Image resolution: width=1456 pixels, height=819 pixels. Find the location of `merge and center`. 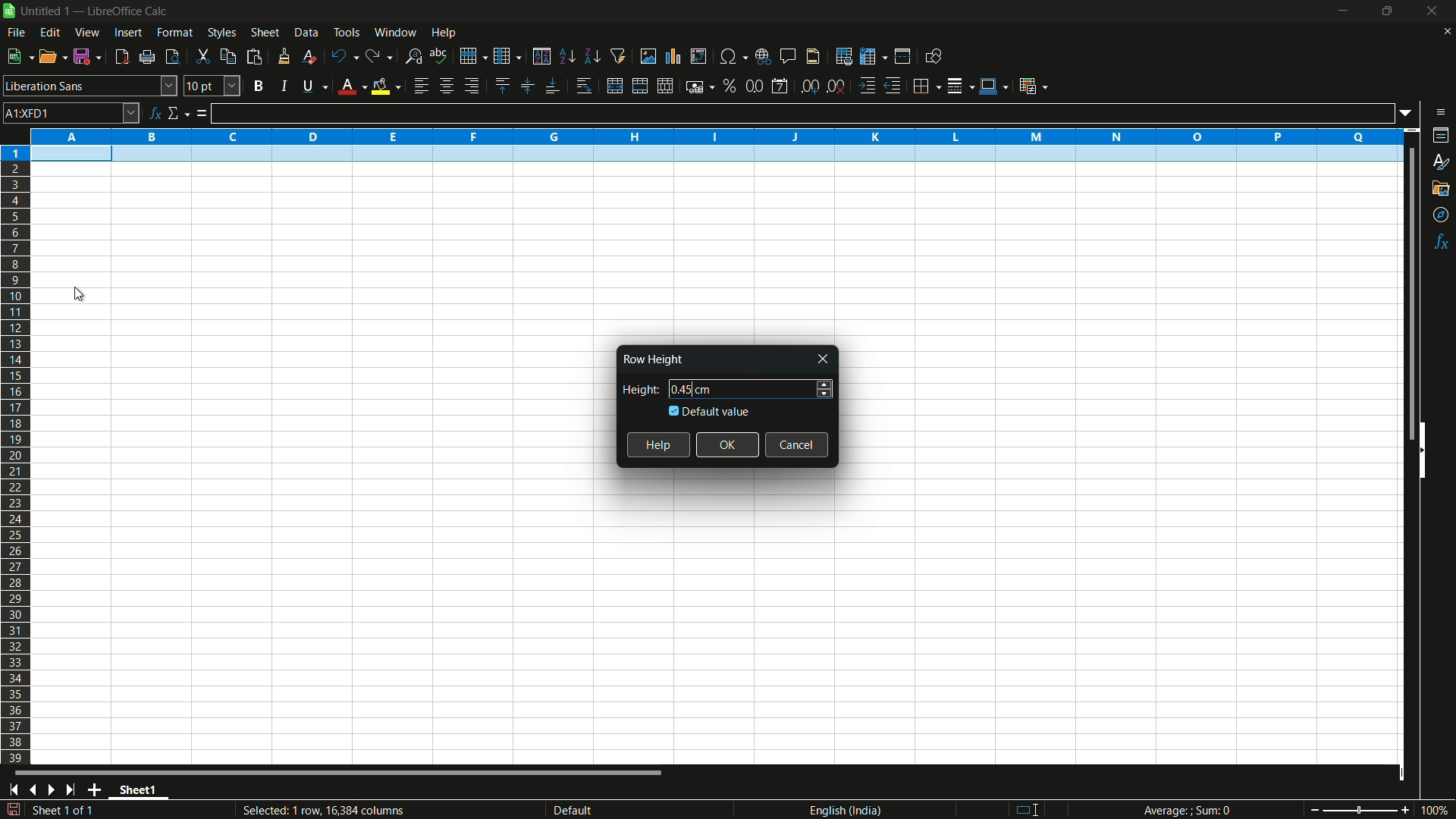

merge and center is located at coordinates (638, 86).